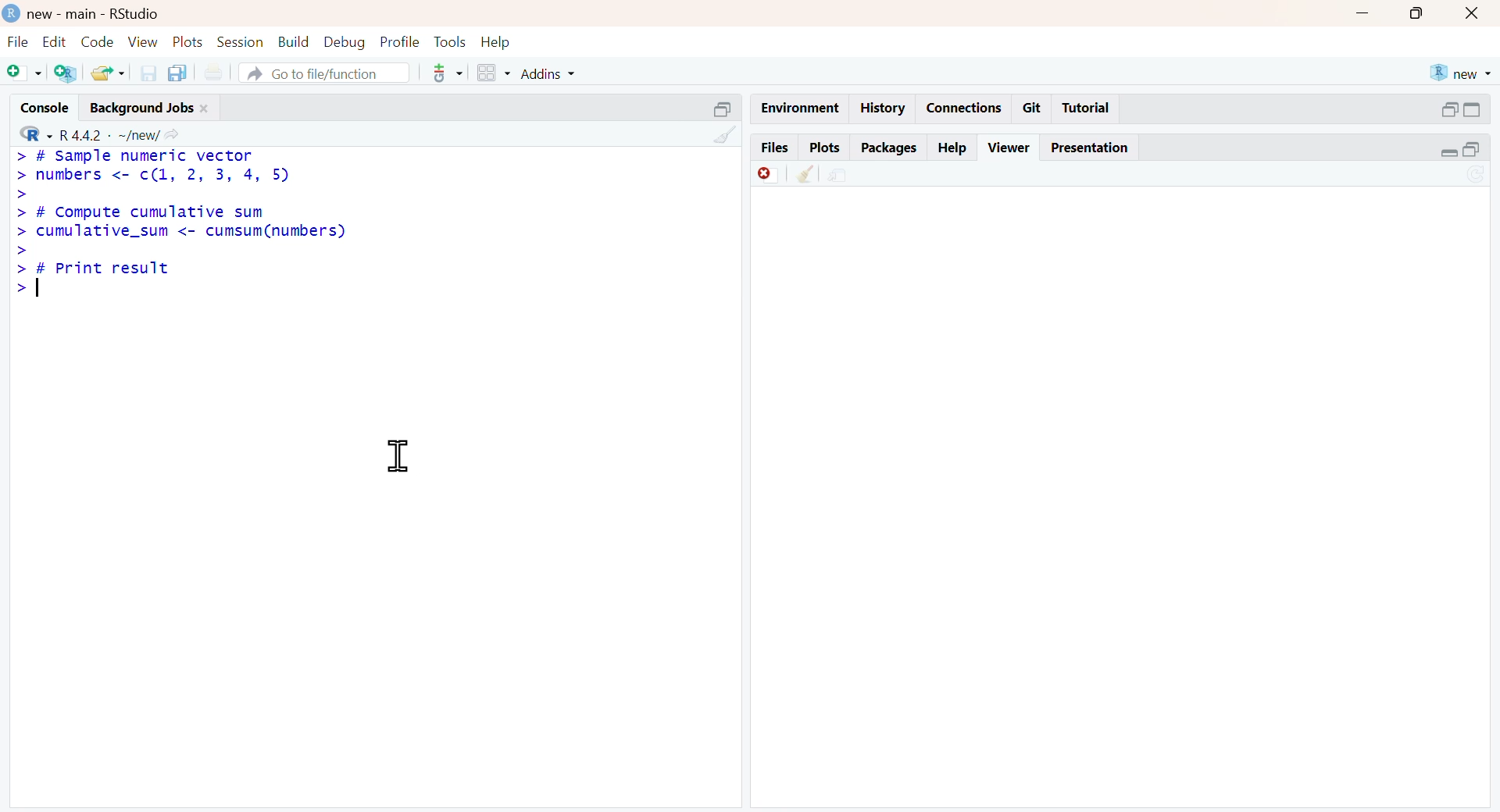  I want to click on expand/collapse, so click(1474, 110).